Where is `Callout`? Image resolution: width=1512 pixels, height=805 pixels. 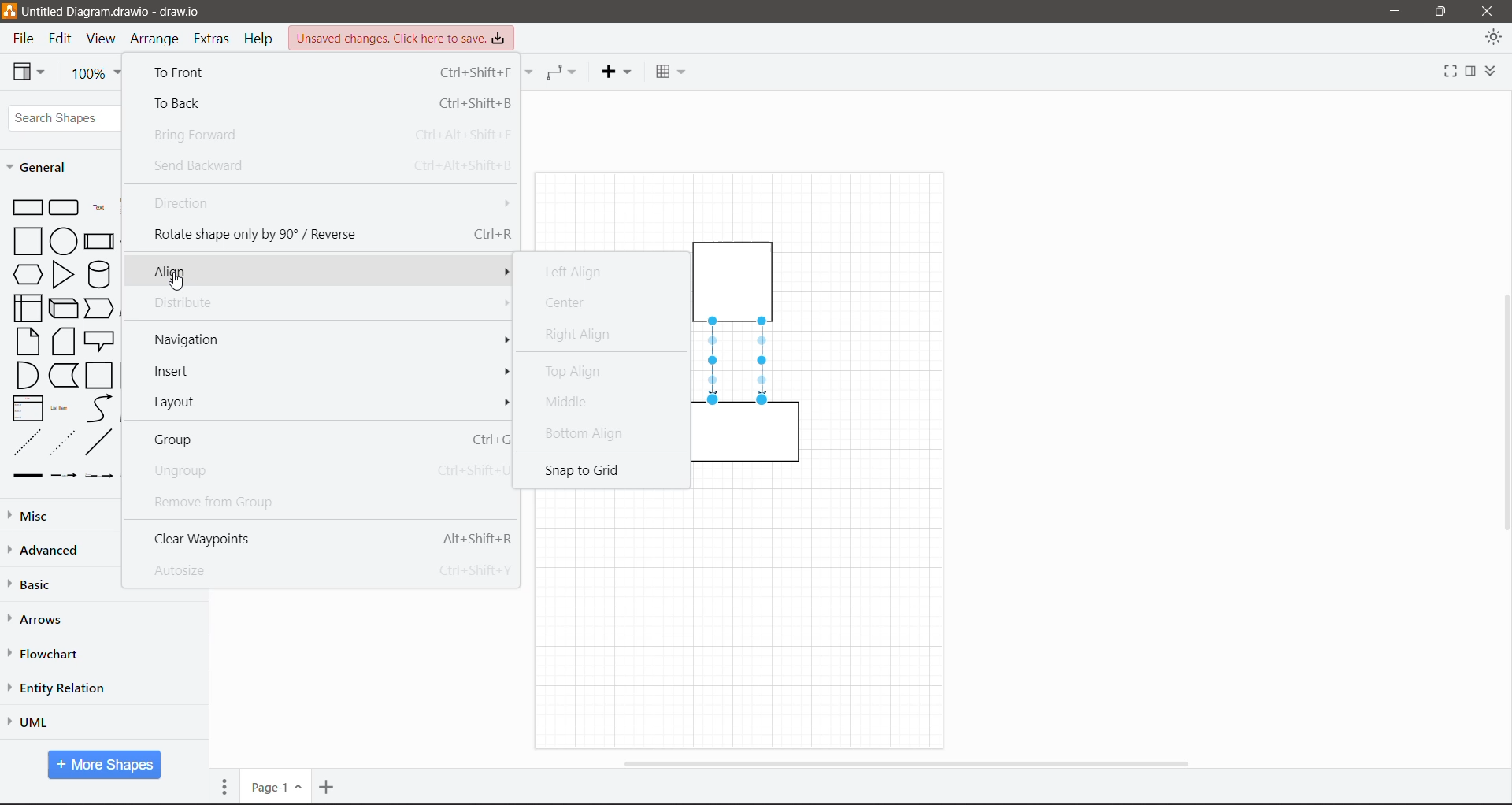
Callout is located at coordinates (99, 341).